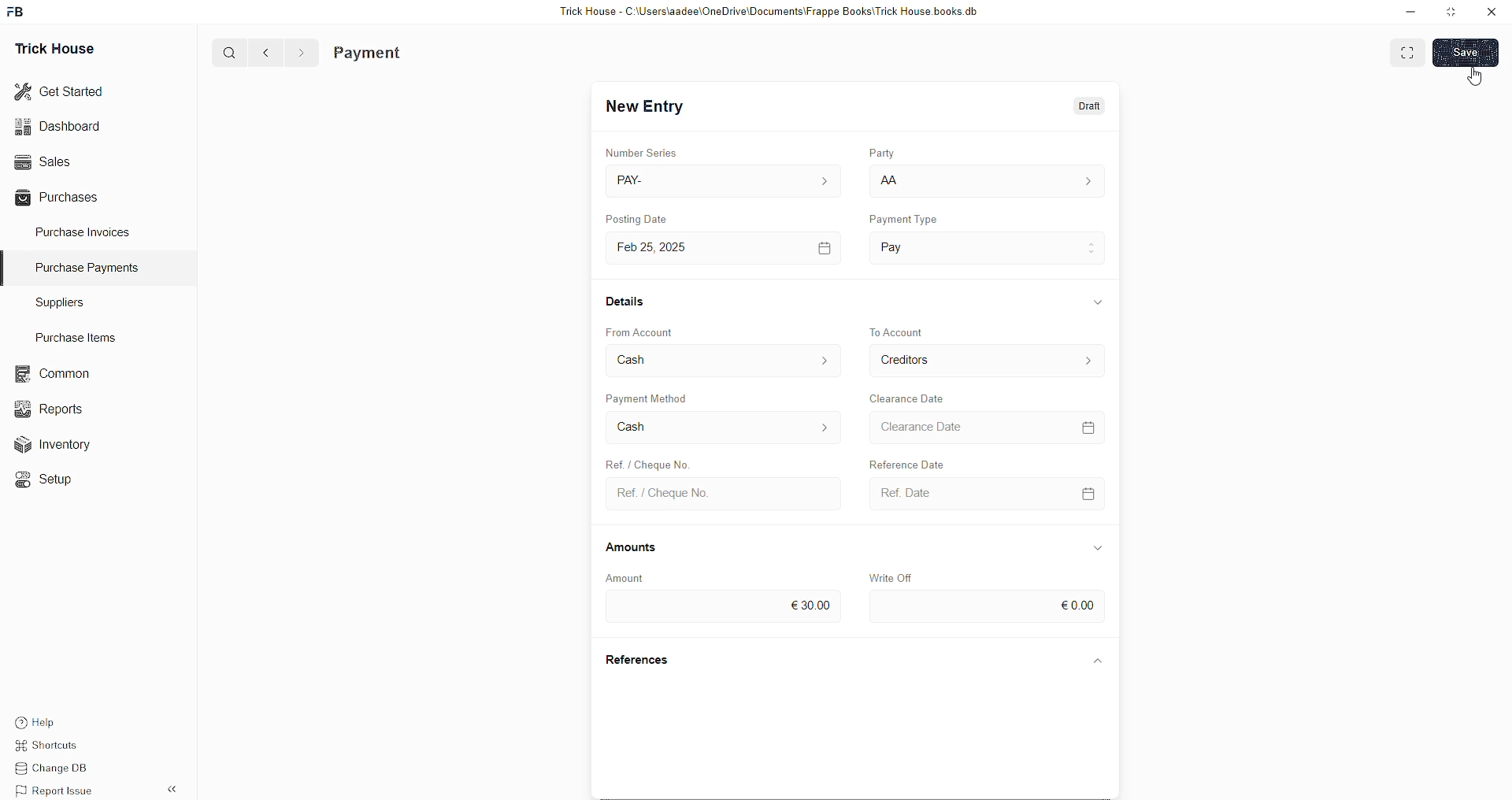 This screenshot has height=800, width=1512. What do you see at coordinates (890, 182) in the screenshot?
I see ` AA` at bounding box center [890, 182].